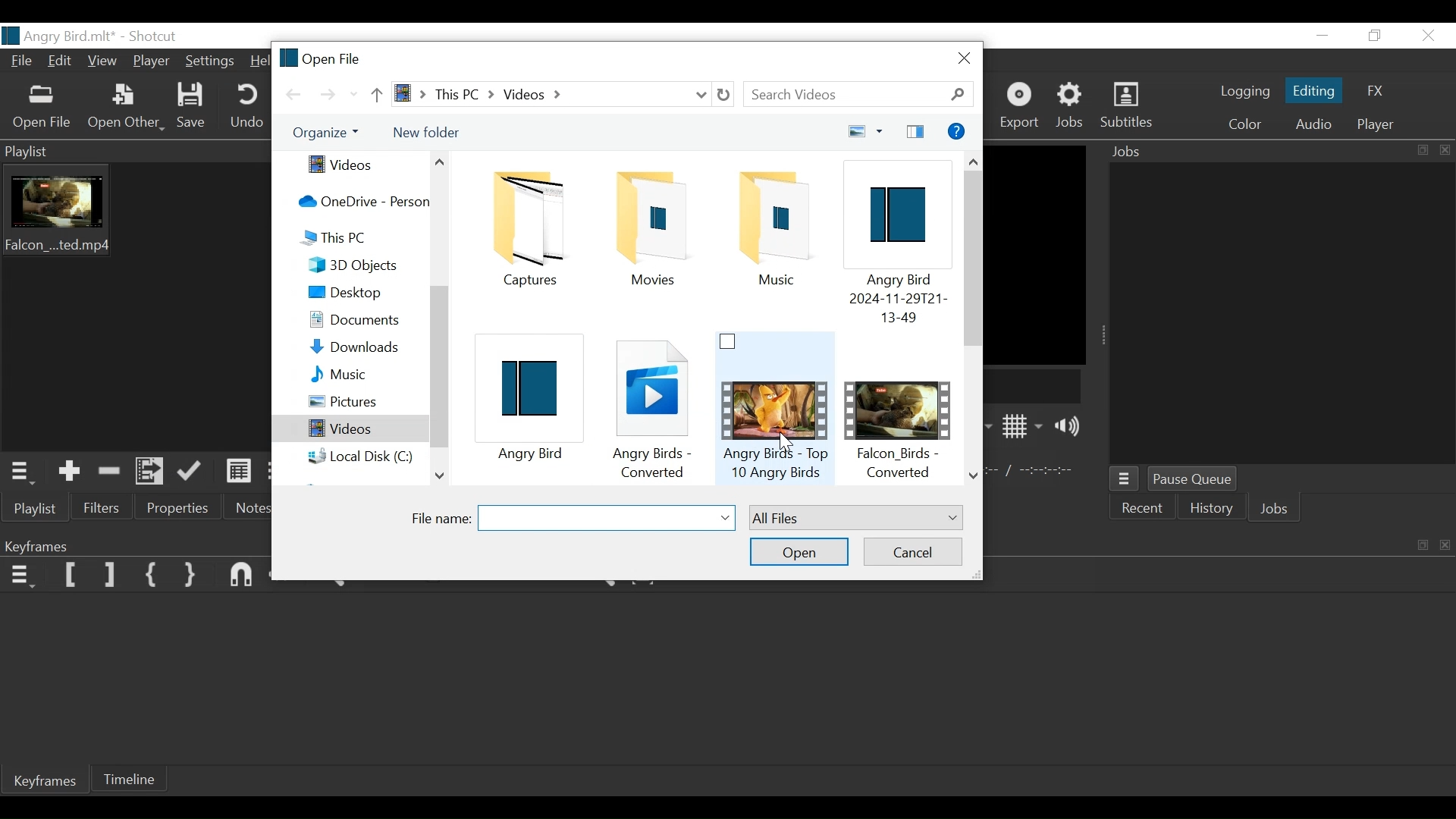  What do you see at coordinates (962, 59) in the screenshot?
I see `Close` at bounding box center [962, 59].